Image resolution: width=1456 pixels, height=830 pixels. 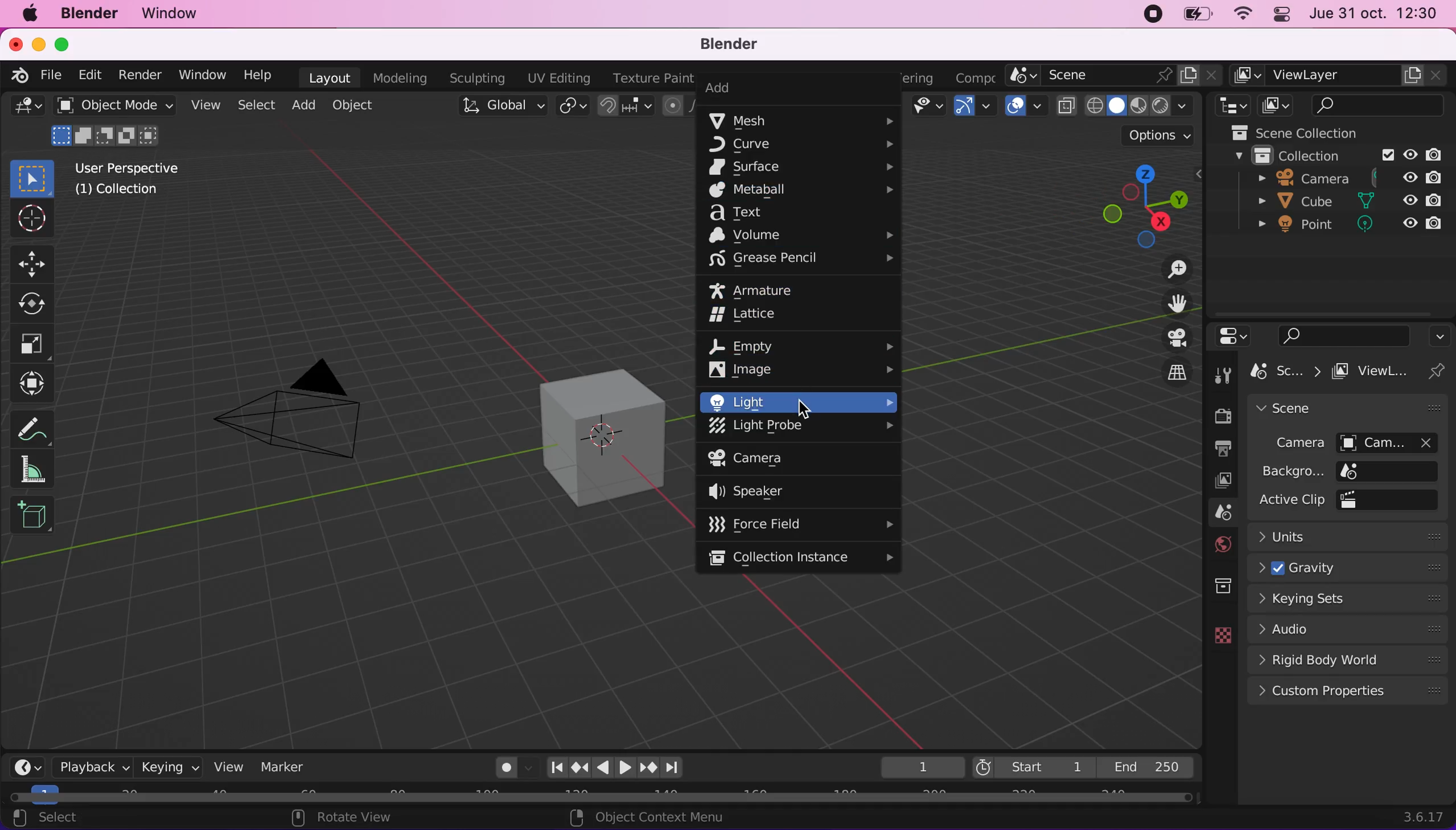 What do you see at coordinates (1067, 108) in the screenshot?
I see `toggle x ray` at bounding box center [1067, 108].